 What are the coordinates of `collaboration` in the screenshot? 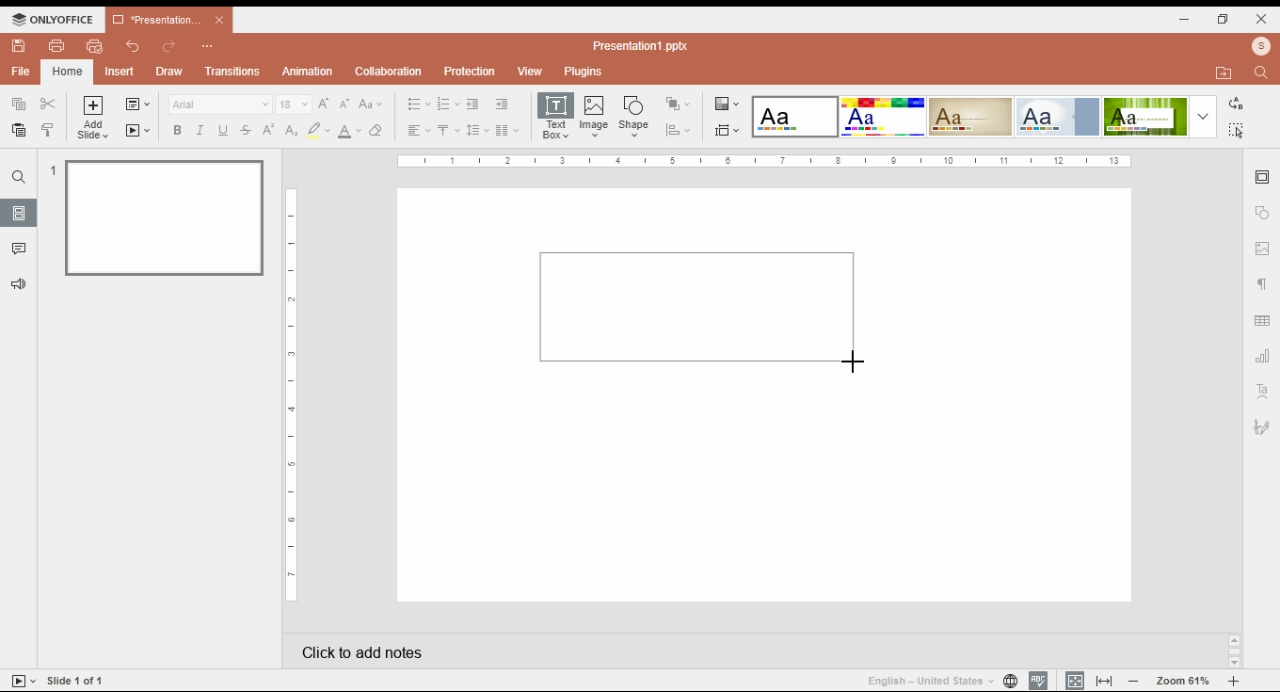 It's located at (389, 73).